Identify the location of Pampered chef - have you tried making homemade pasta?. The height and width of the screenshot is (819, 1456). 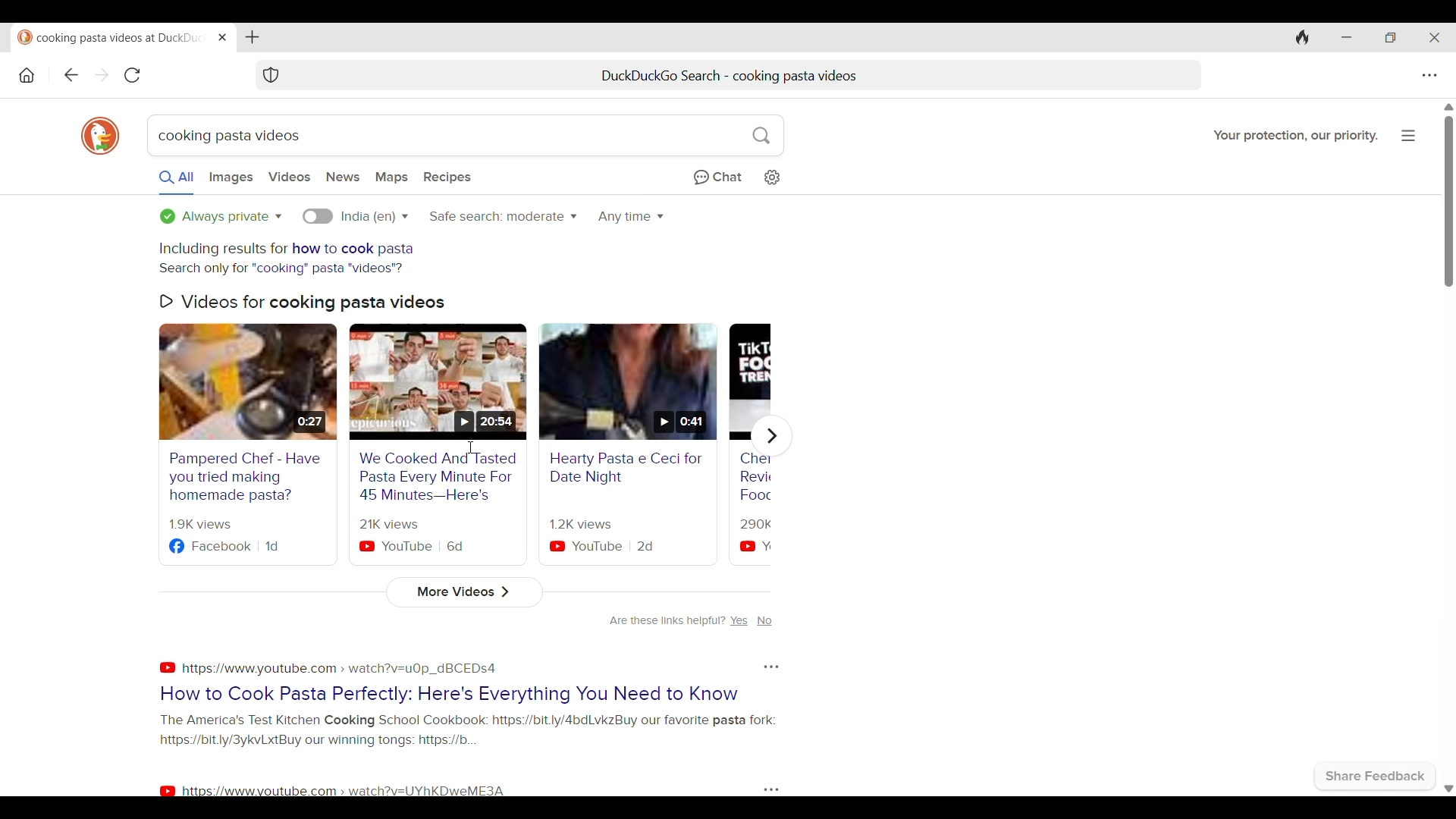
(245, 441).